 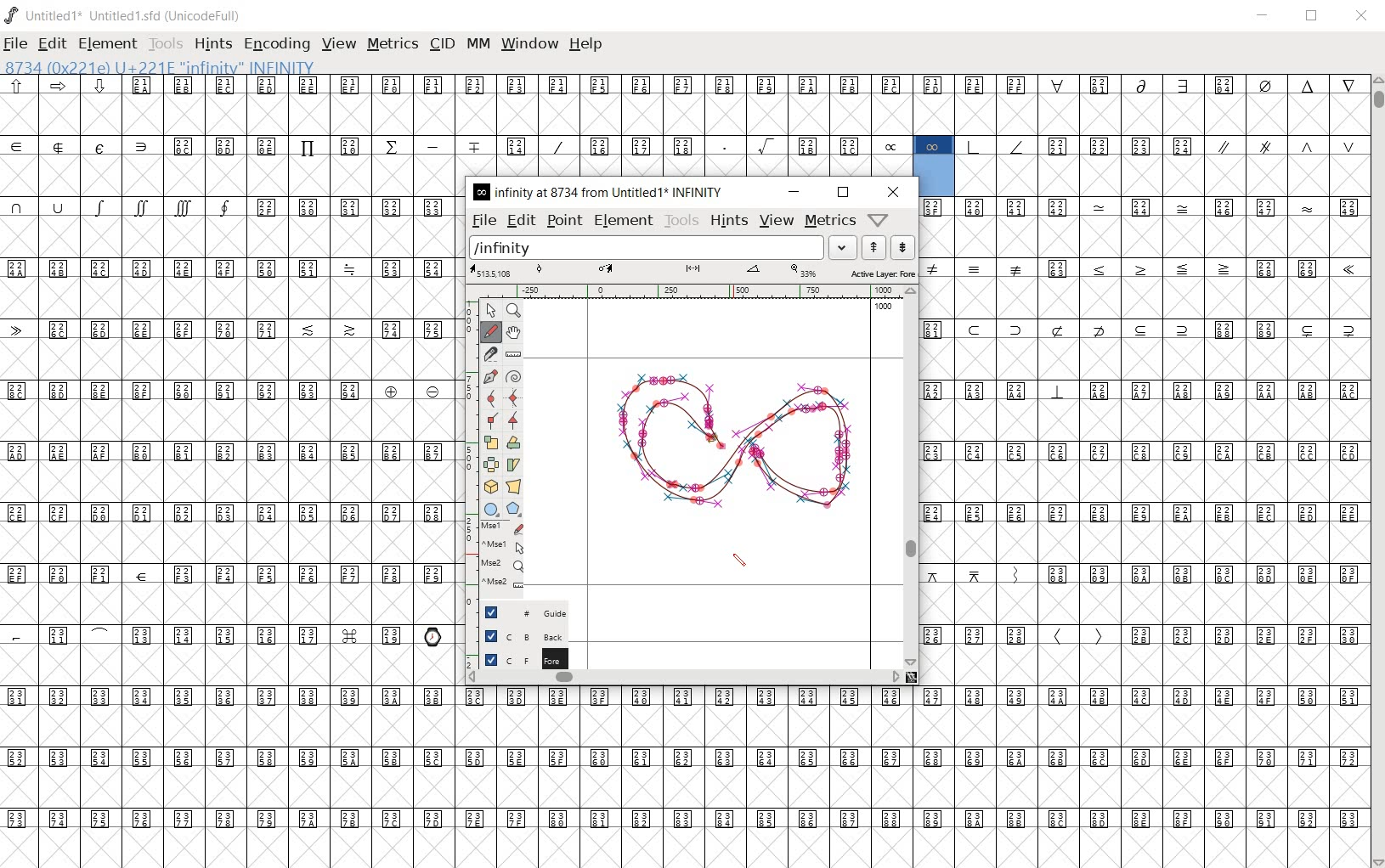 What do you see at coordinates (1143, 603) in the screenshot?
I see `empty glyph slot` at bounding box center [1143, 603].